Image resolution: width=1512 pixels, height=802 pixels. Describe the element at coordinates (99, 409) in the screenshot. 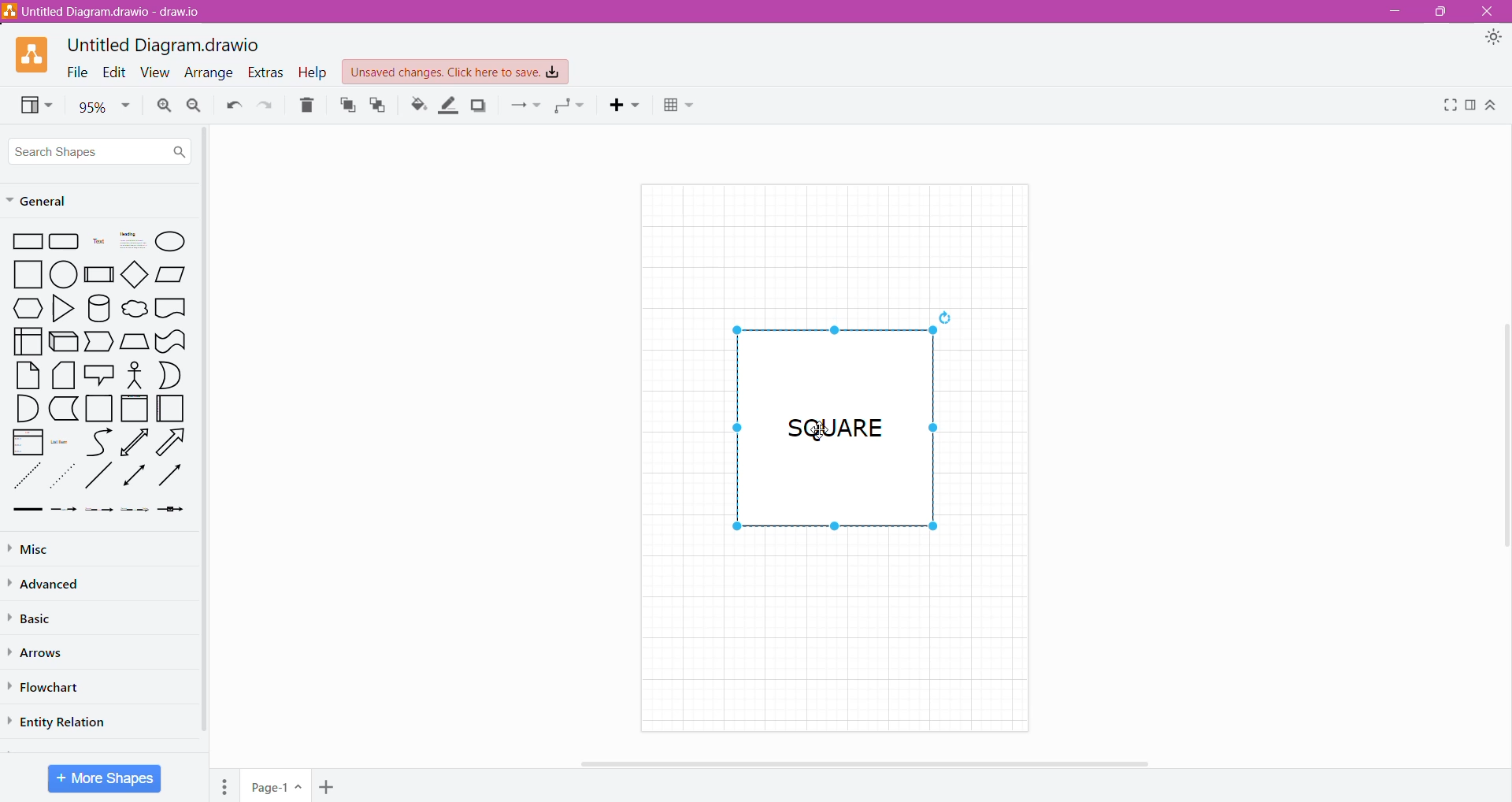

I see `Square ` at that location.